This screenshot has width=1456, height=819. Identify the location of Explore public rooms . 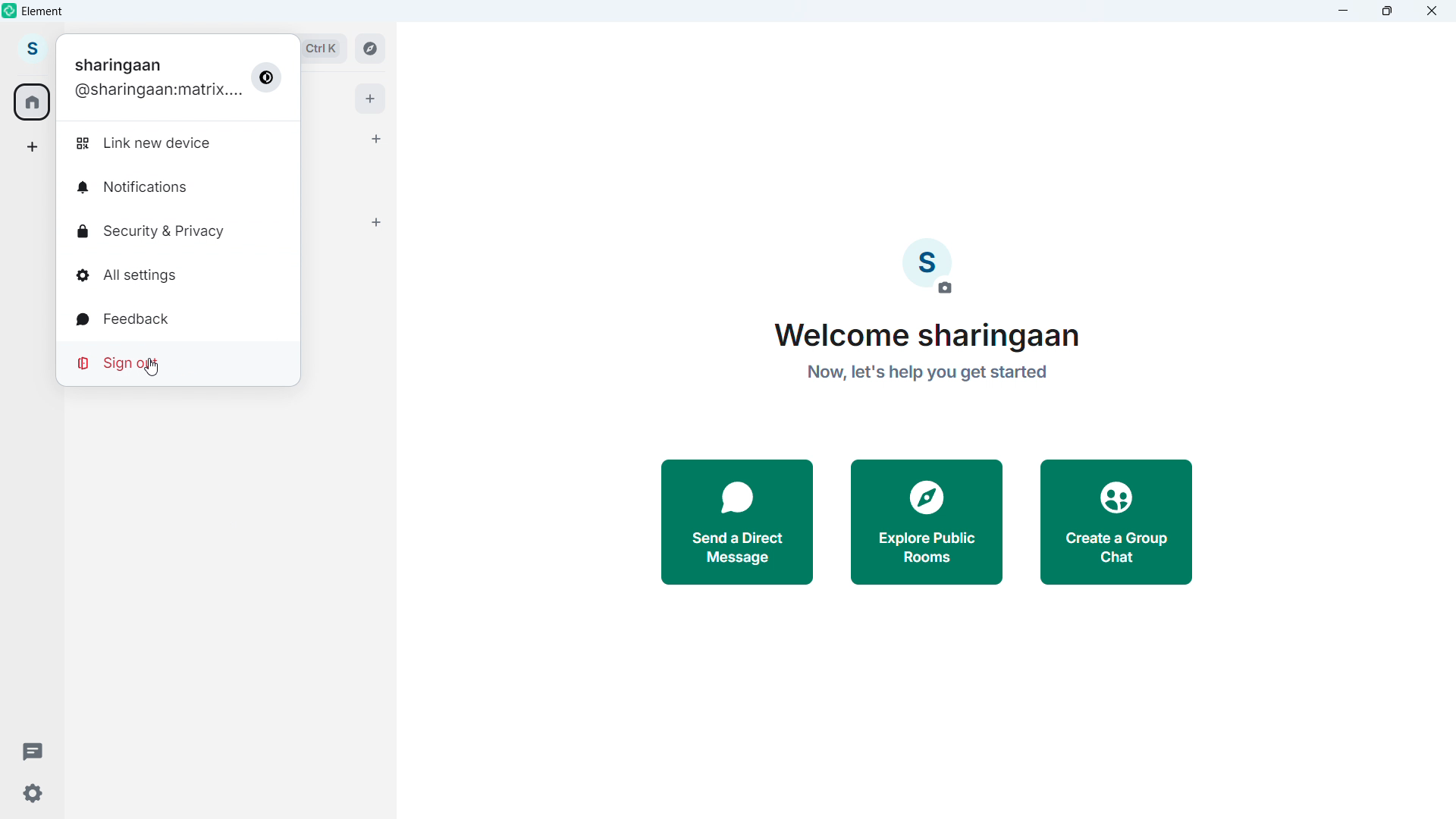
(926, 524).